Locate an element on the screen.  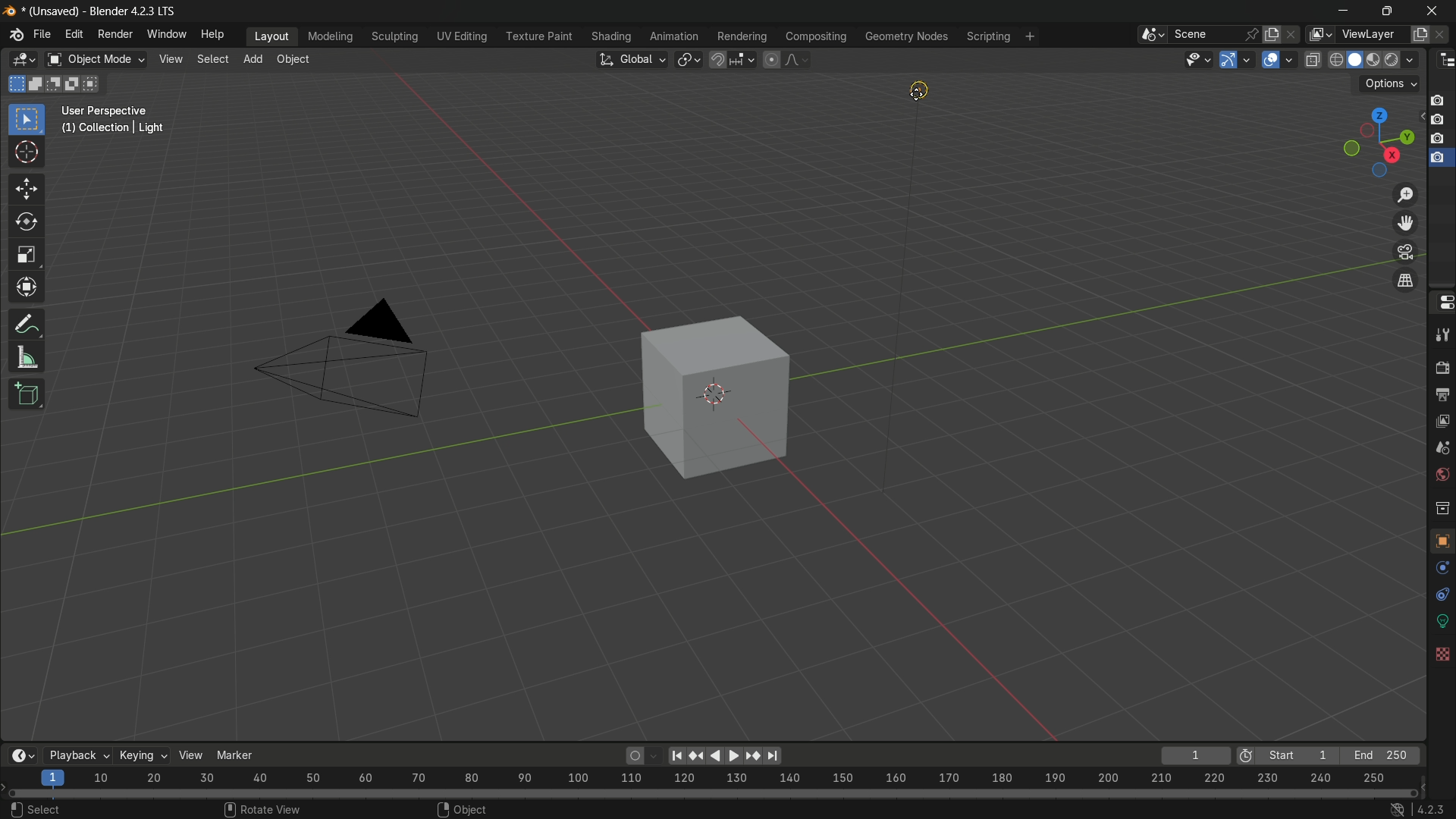
render menu is located at coordinates (116, 34).